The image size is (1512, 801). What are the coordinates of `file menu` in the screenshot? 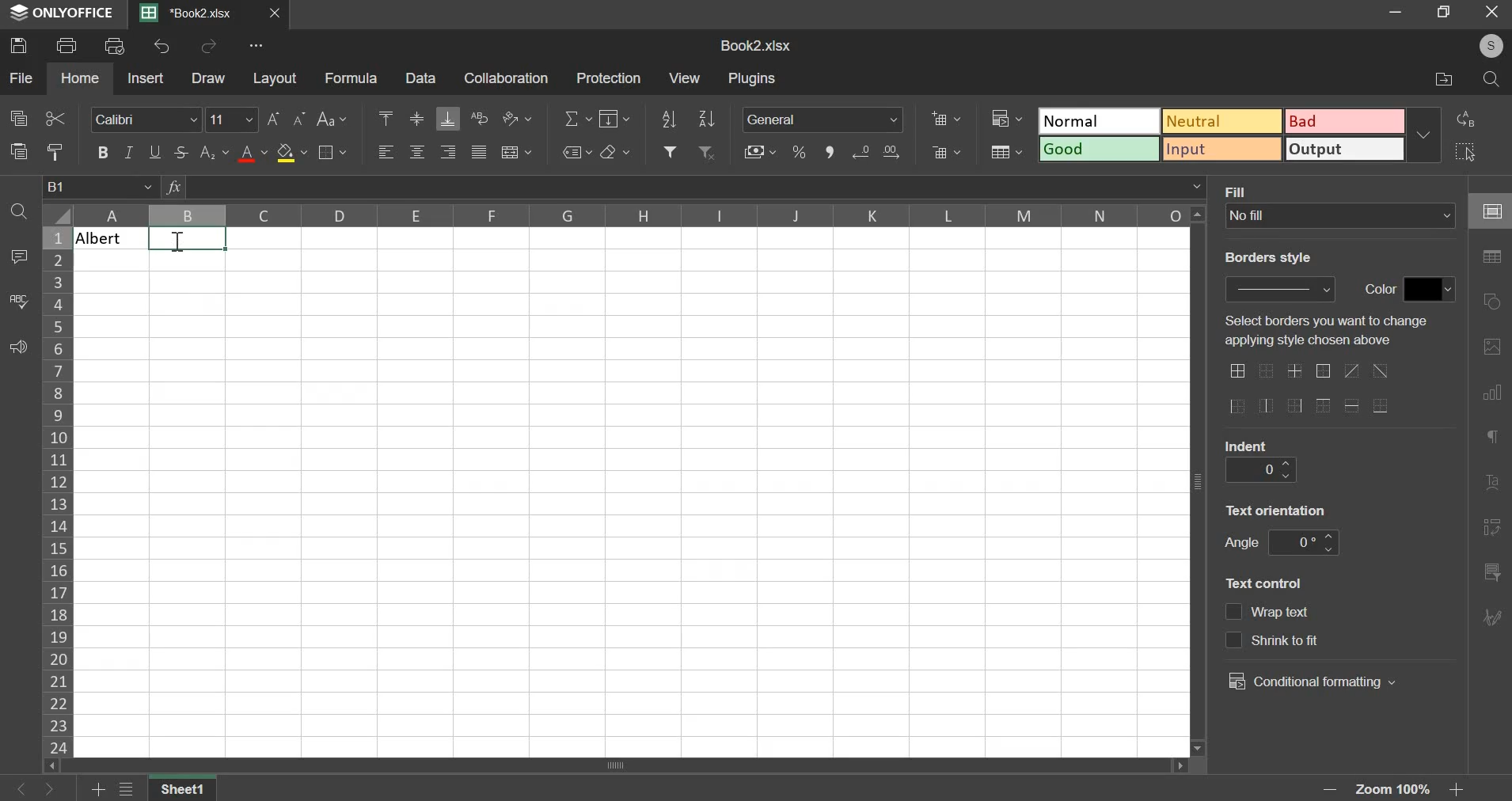 It's located at (127, 789).